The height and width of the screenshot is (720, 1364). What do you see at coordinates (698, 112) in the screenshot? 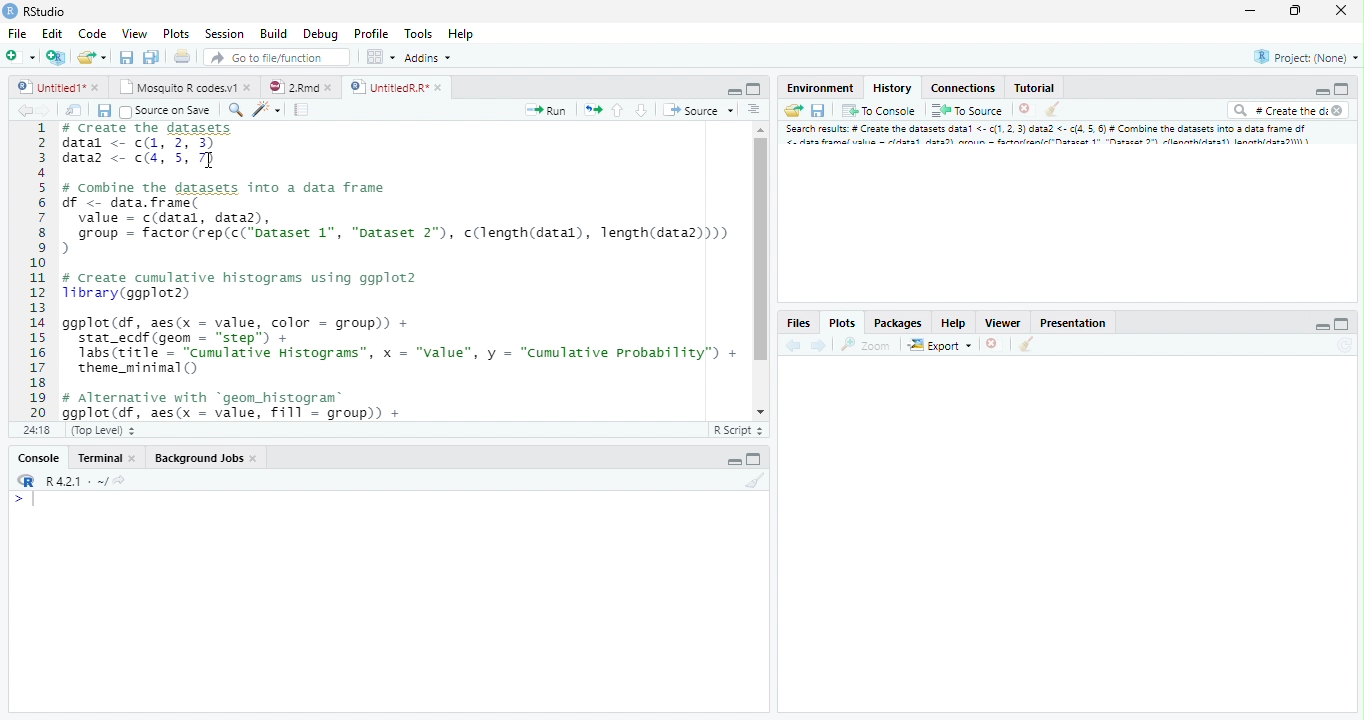
I see `Source` at bounding box center [698, 112].